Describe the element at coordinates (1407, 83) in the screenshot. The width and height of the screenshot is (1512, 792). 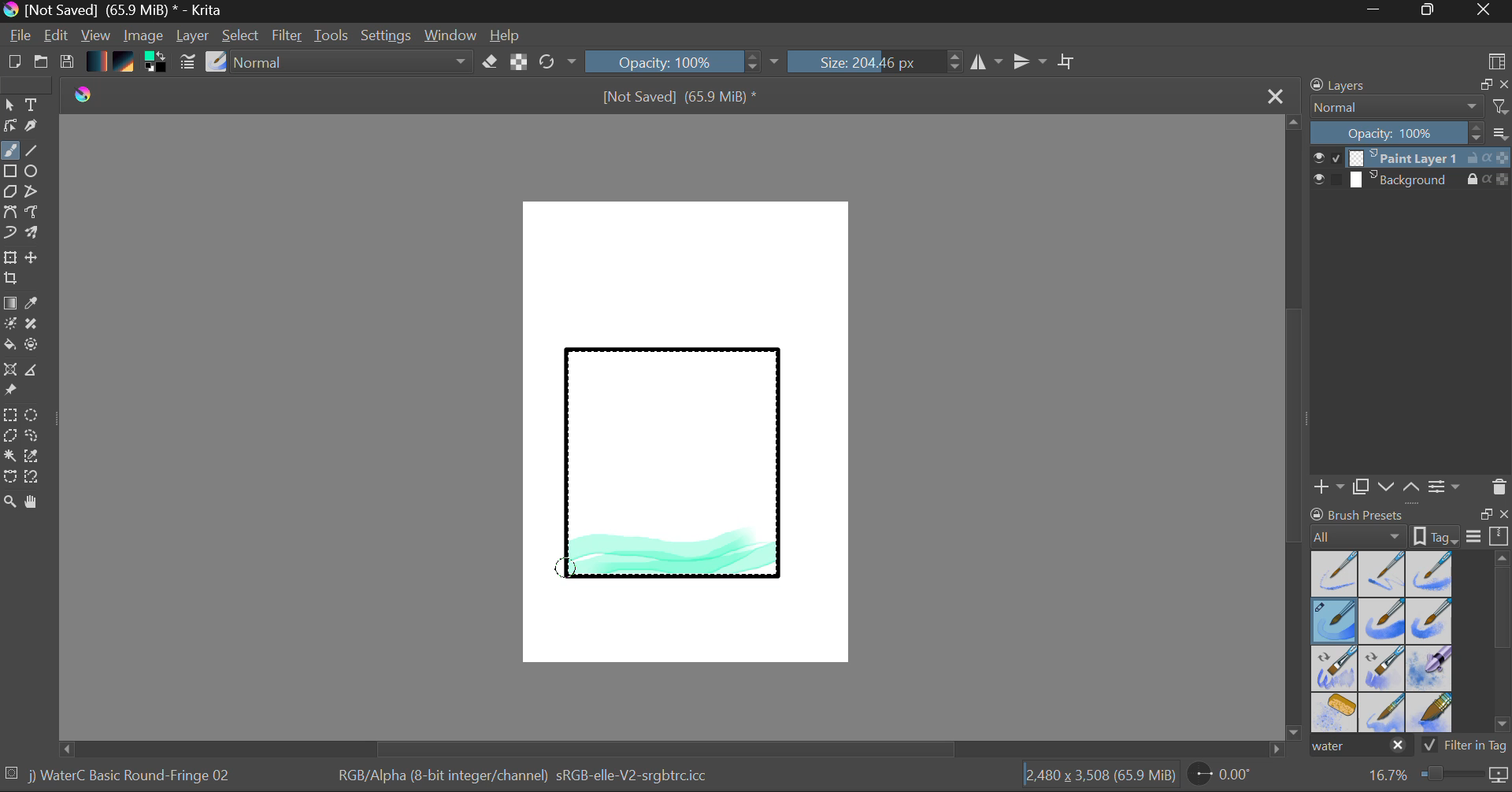
I see `Layers Docket Tab` at that location.